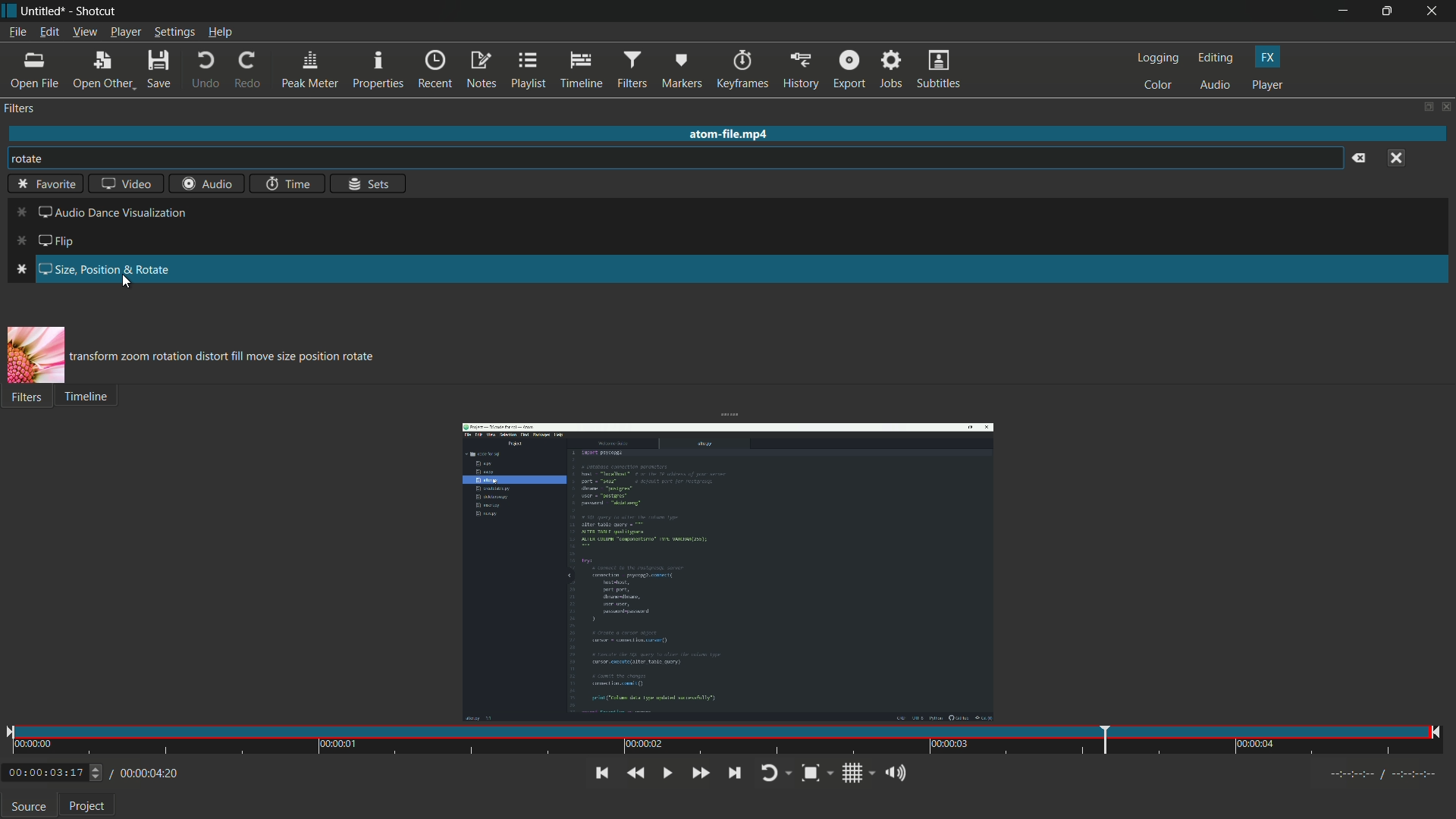 Image resolution: width=1456 pixels, height=819 pixels. Describe the element at coordinates (93, 805) in the screenshot. I see `Project` at that location.